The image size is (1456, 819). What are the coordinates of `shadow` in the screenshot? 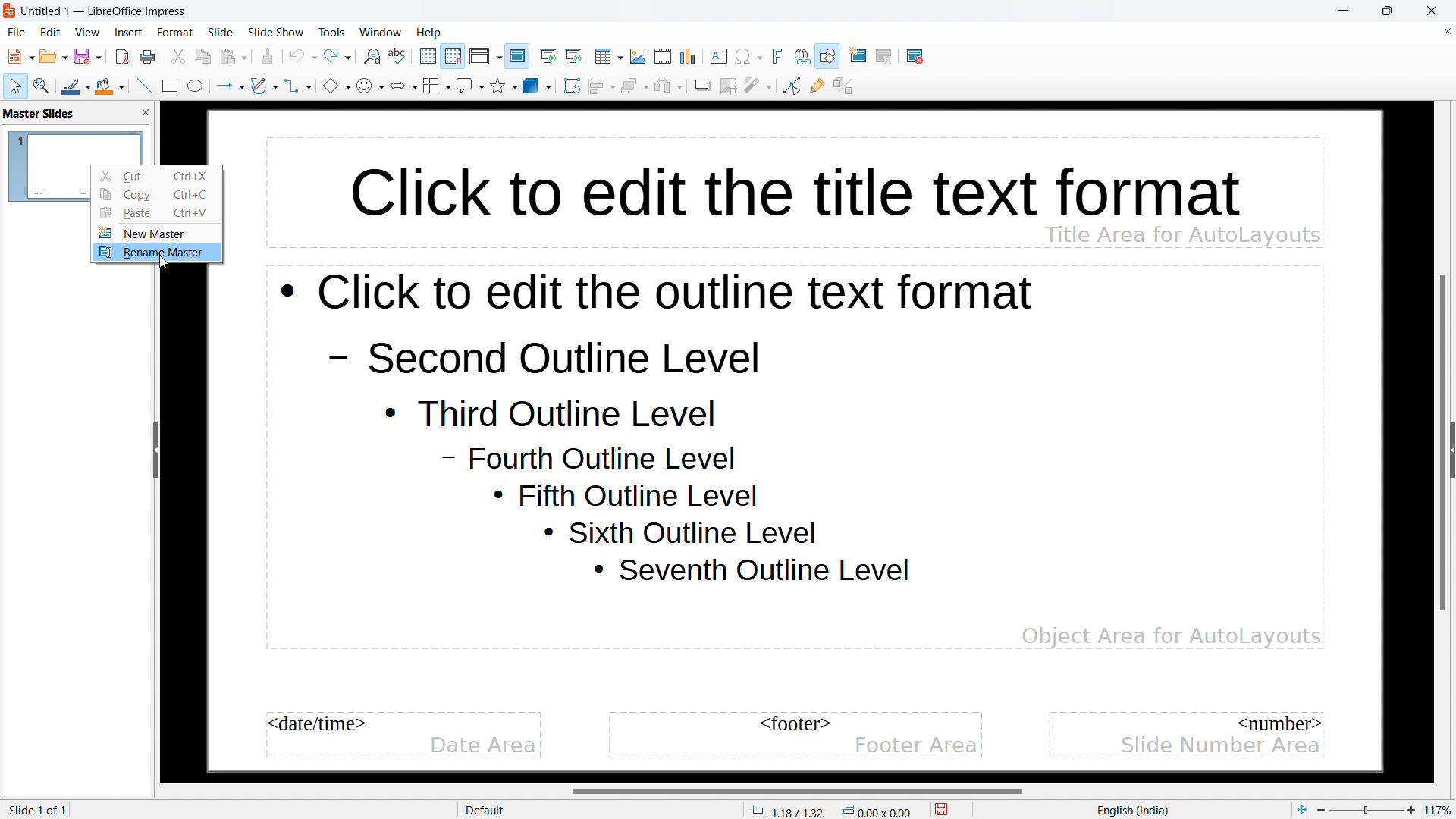 It's located at (703, 85).